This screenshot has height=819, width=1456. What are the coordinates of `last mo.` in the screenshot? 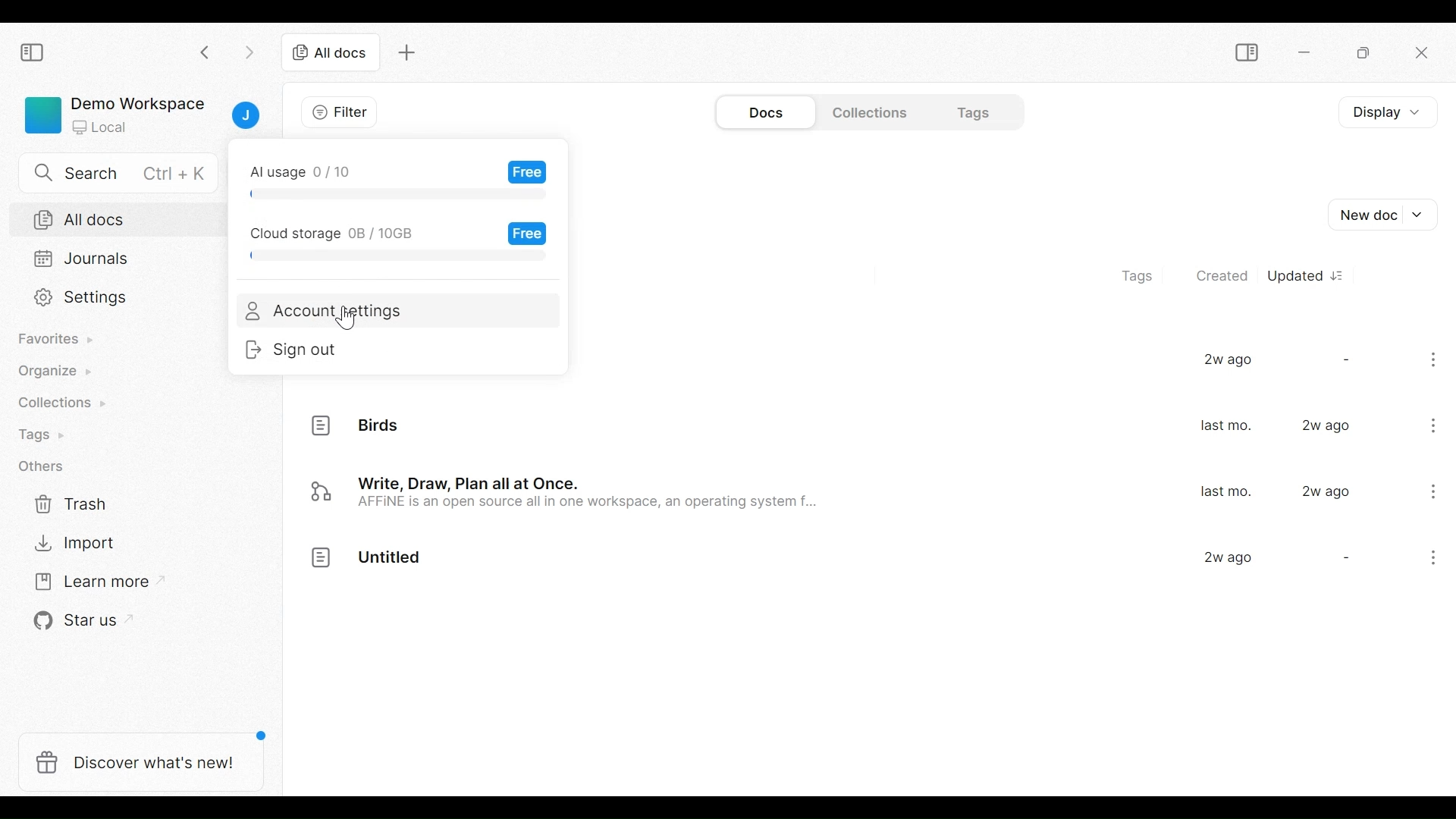 It's located at (1225, 492).